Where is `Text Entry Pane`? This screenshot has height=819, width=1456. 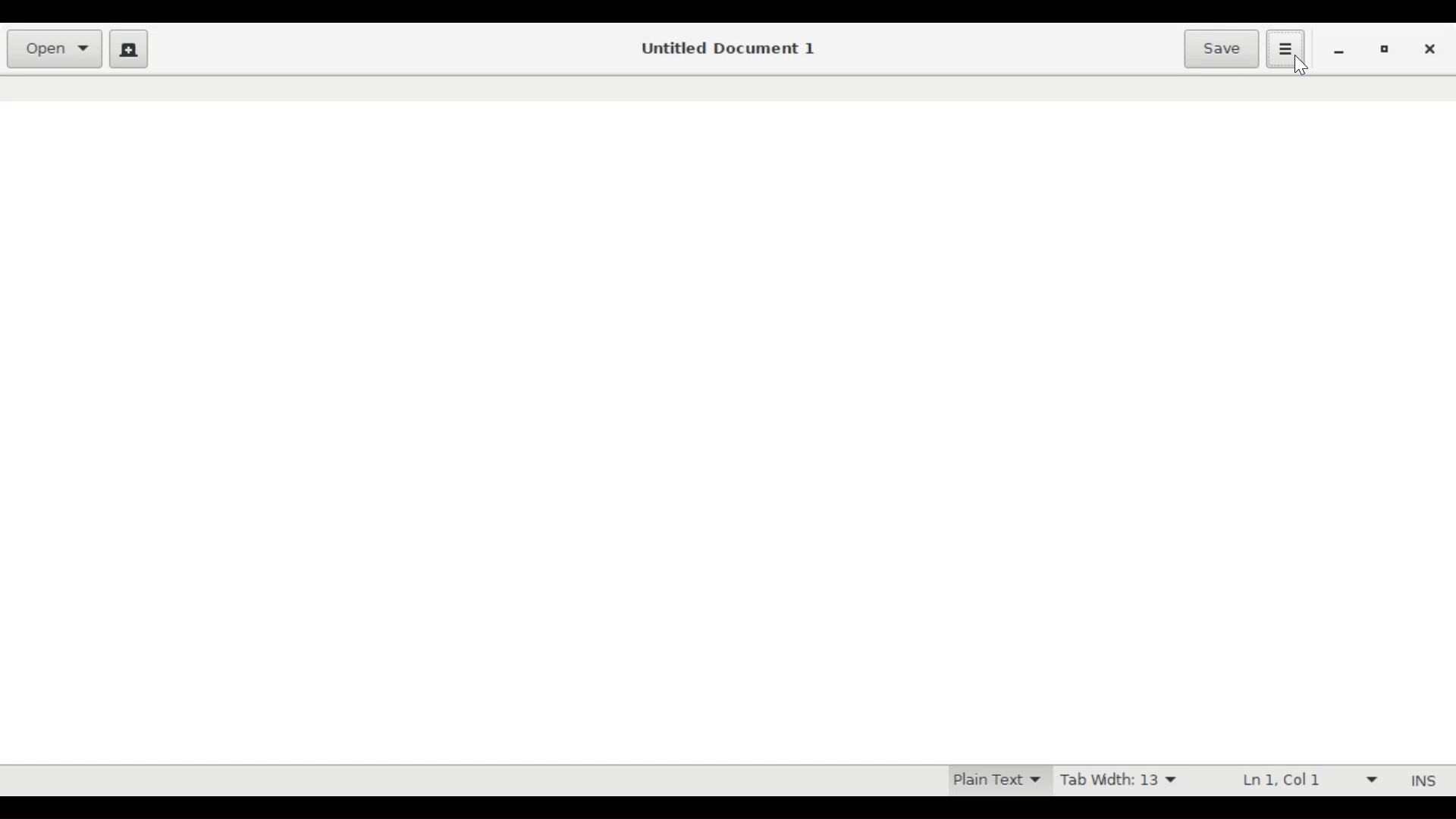
Text Entry Pane is located at coordinates (730, 419).